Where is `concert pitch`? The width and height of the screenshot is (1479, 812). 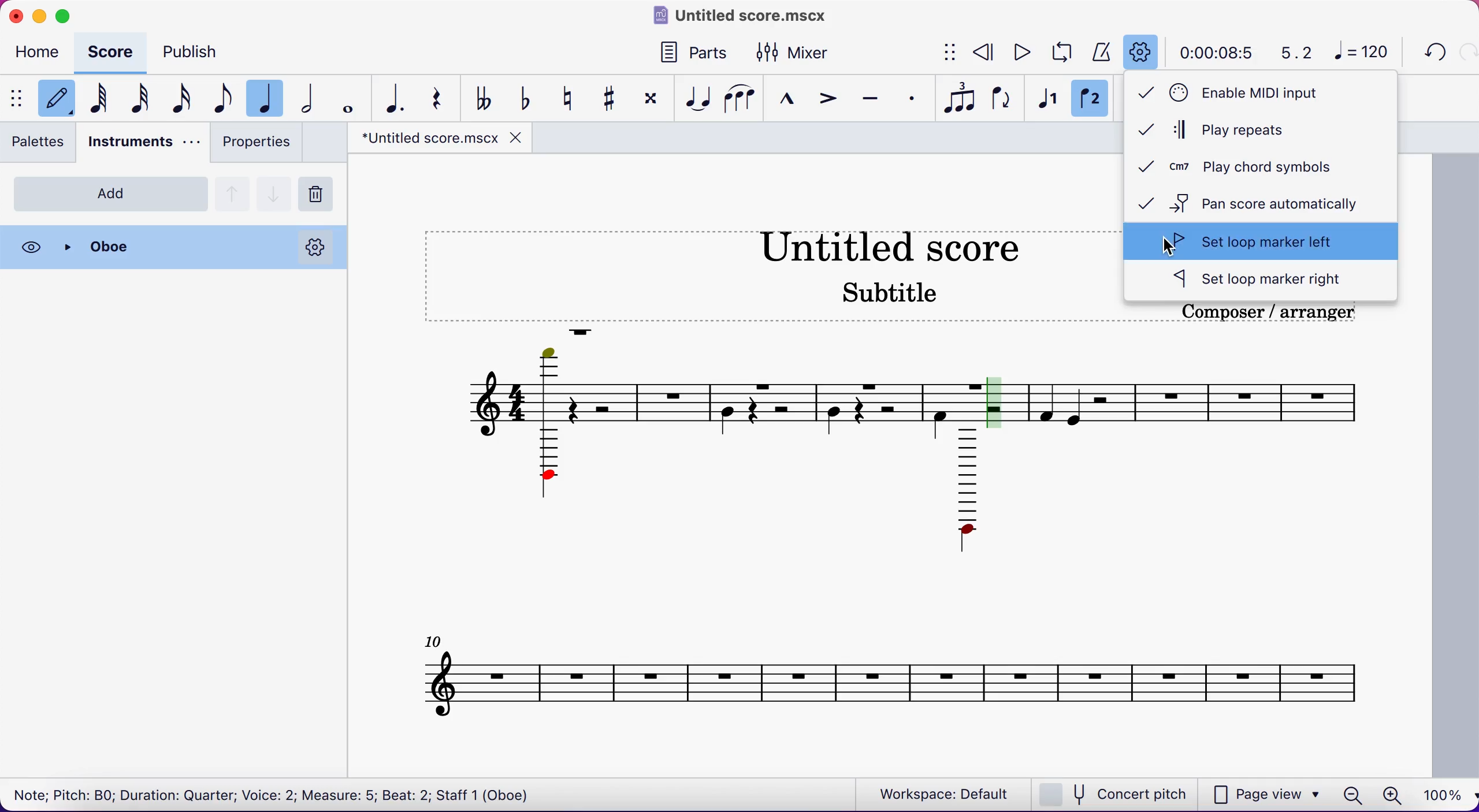 concert pitch is located at coordinates (1117, 794).